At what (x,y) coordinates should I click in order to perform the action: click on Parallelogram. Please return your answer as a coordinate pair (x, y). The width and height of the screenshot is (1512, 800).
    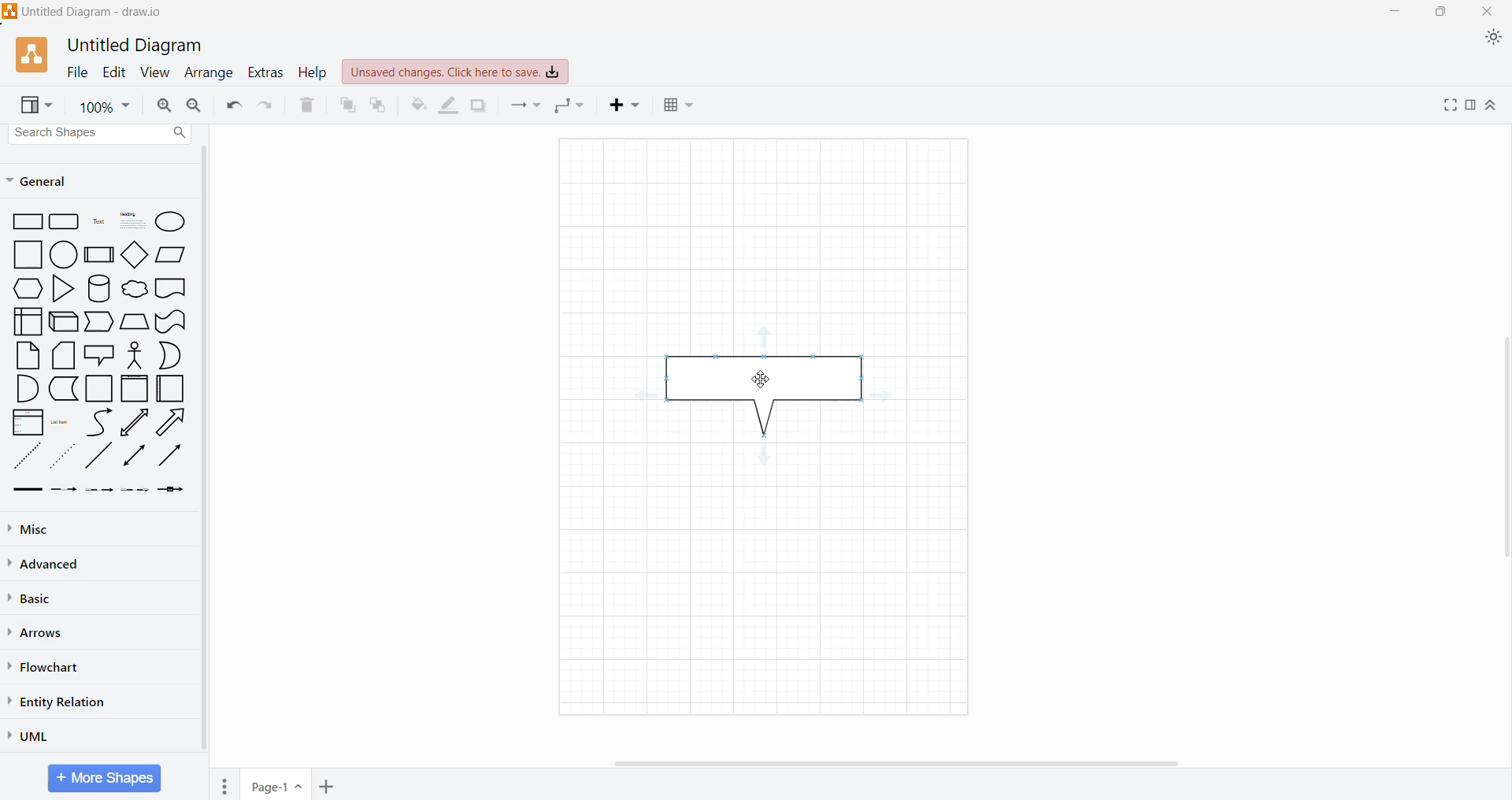
    Looking at the image, I should click on (171, 254).